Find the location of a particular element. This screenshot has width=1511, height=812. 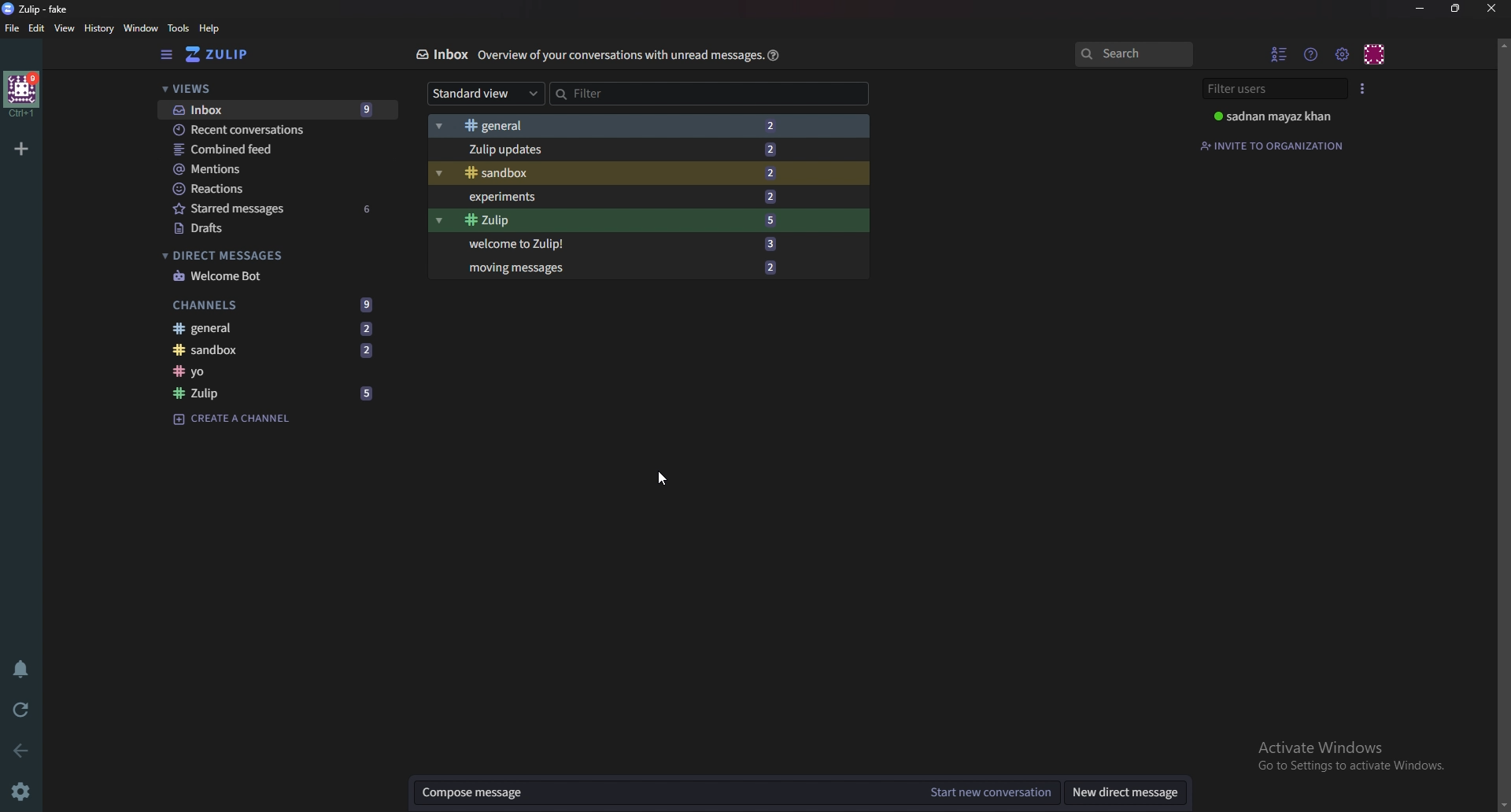

recent conversations is located at coordinates (270, 129).